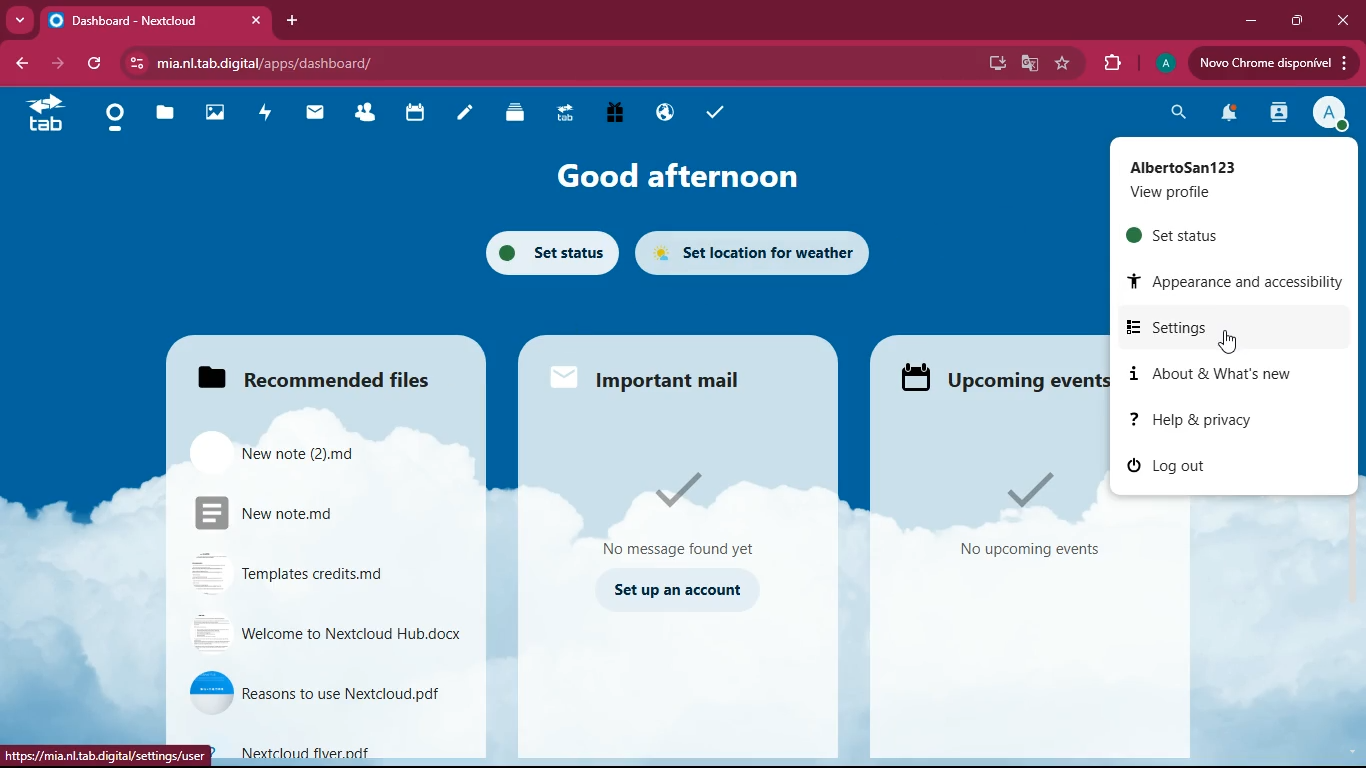 This screenshot has width=1366, height=768. I want to click on help, so click(1193, 420).